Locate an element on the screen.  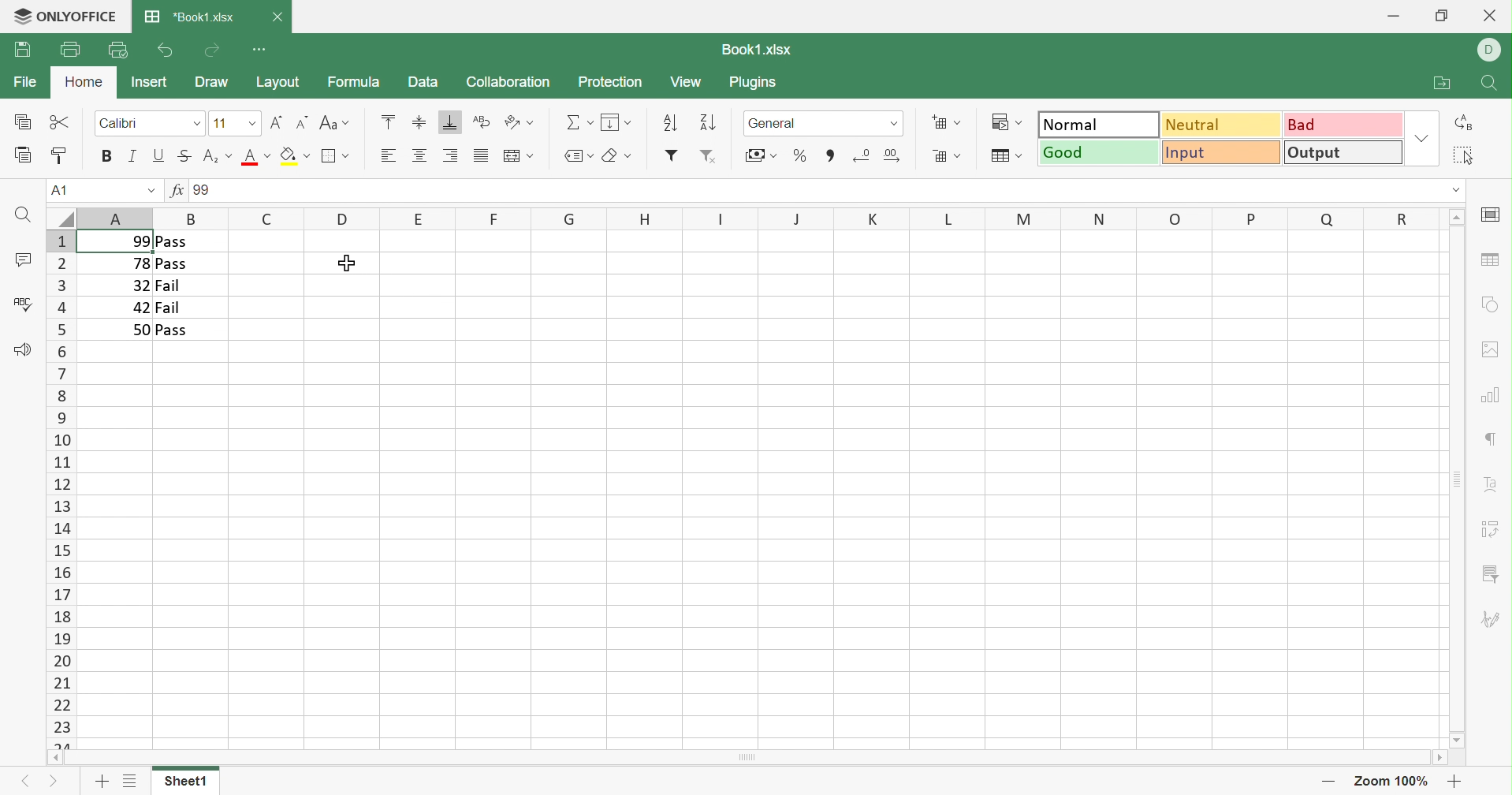
Cell settings is located at coordinates (1489, 215).